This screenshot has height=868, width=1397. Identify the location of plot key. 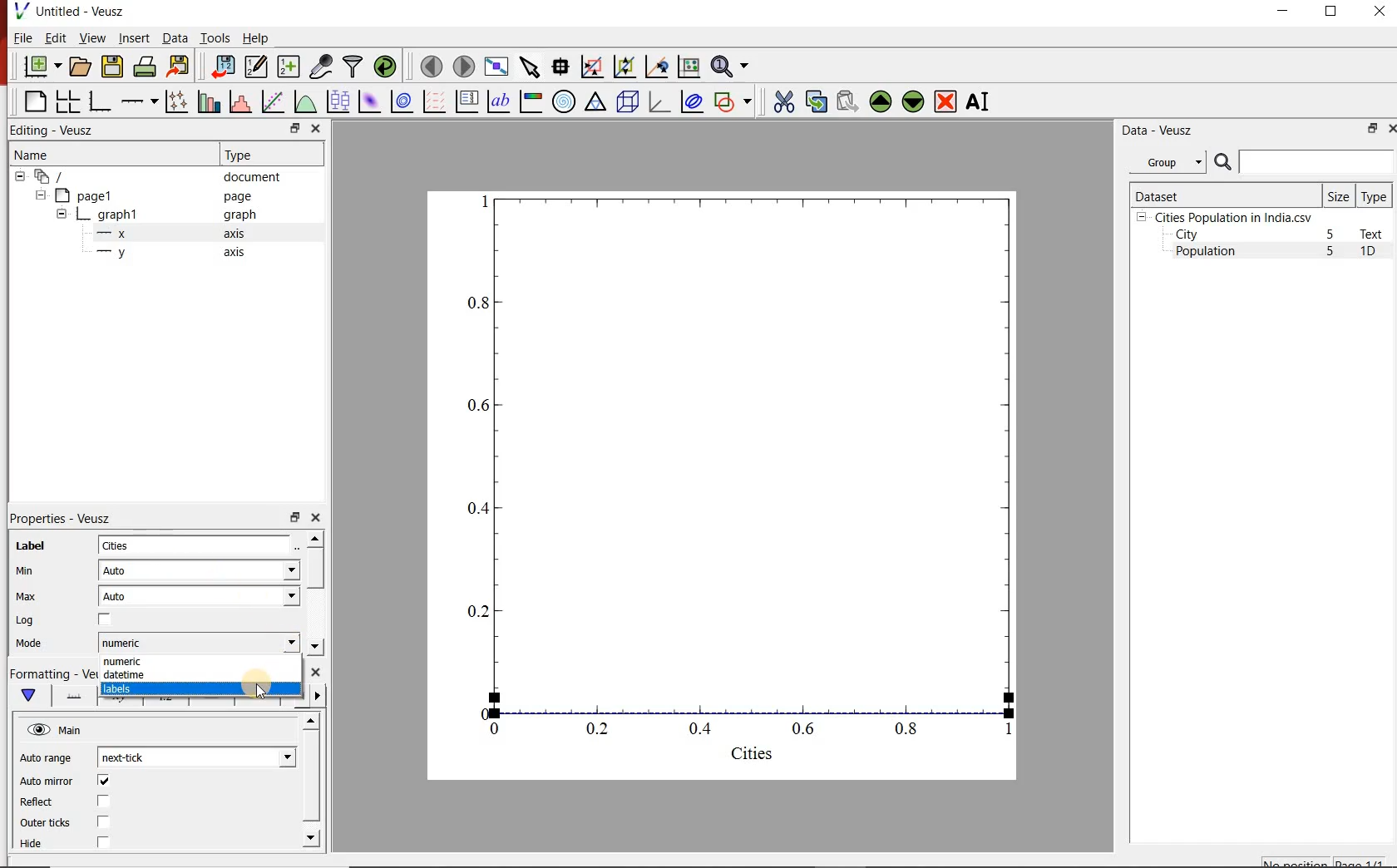
(466, 101).